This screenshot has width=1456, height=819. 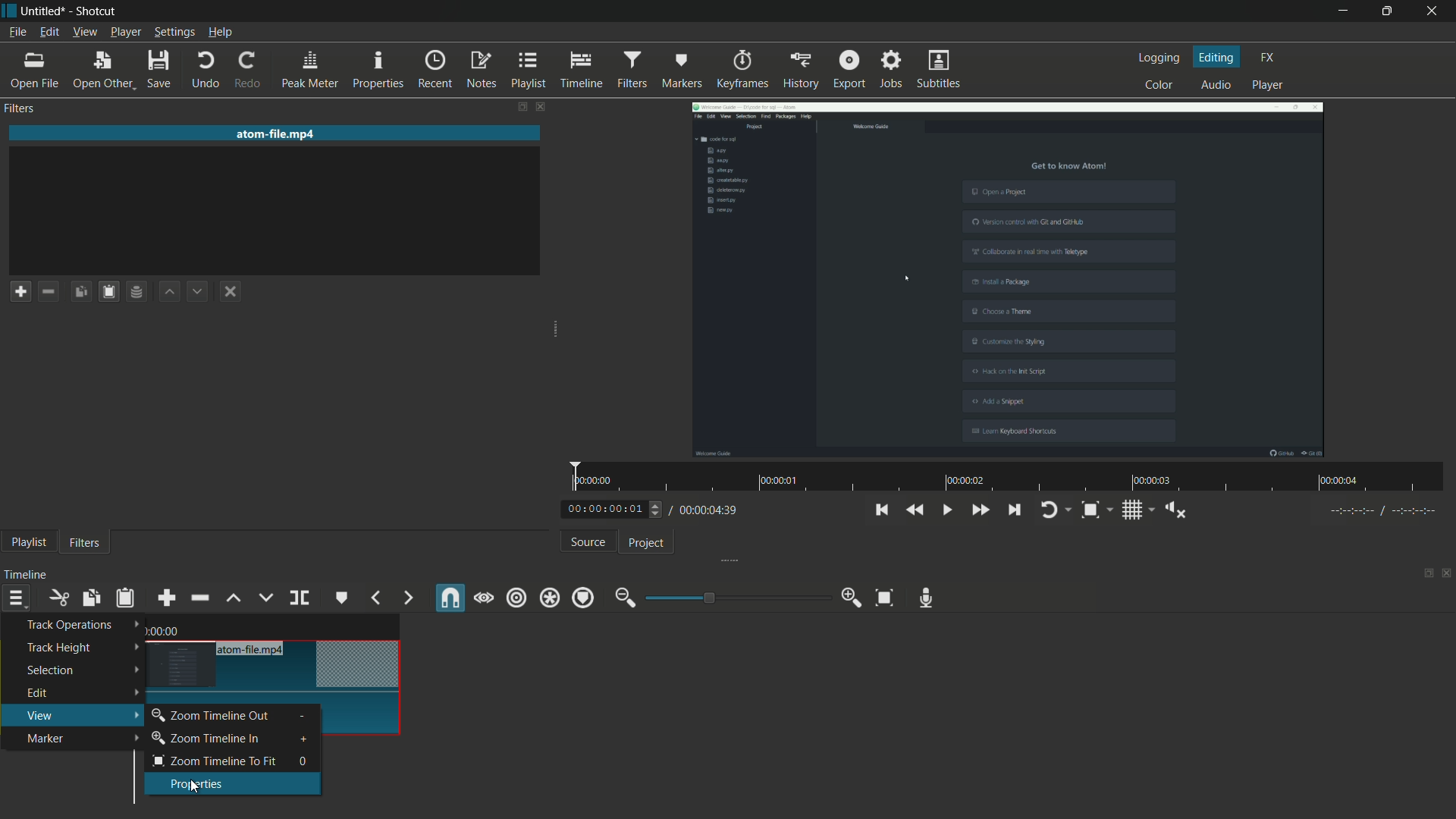 I want to click on imported file, so click(x=1009, y=279).